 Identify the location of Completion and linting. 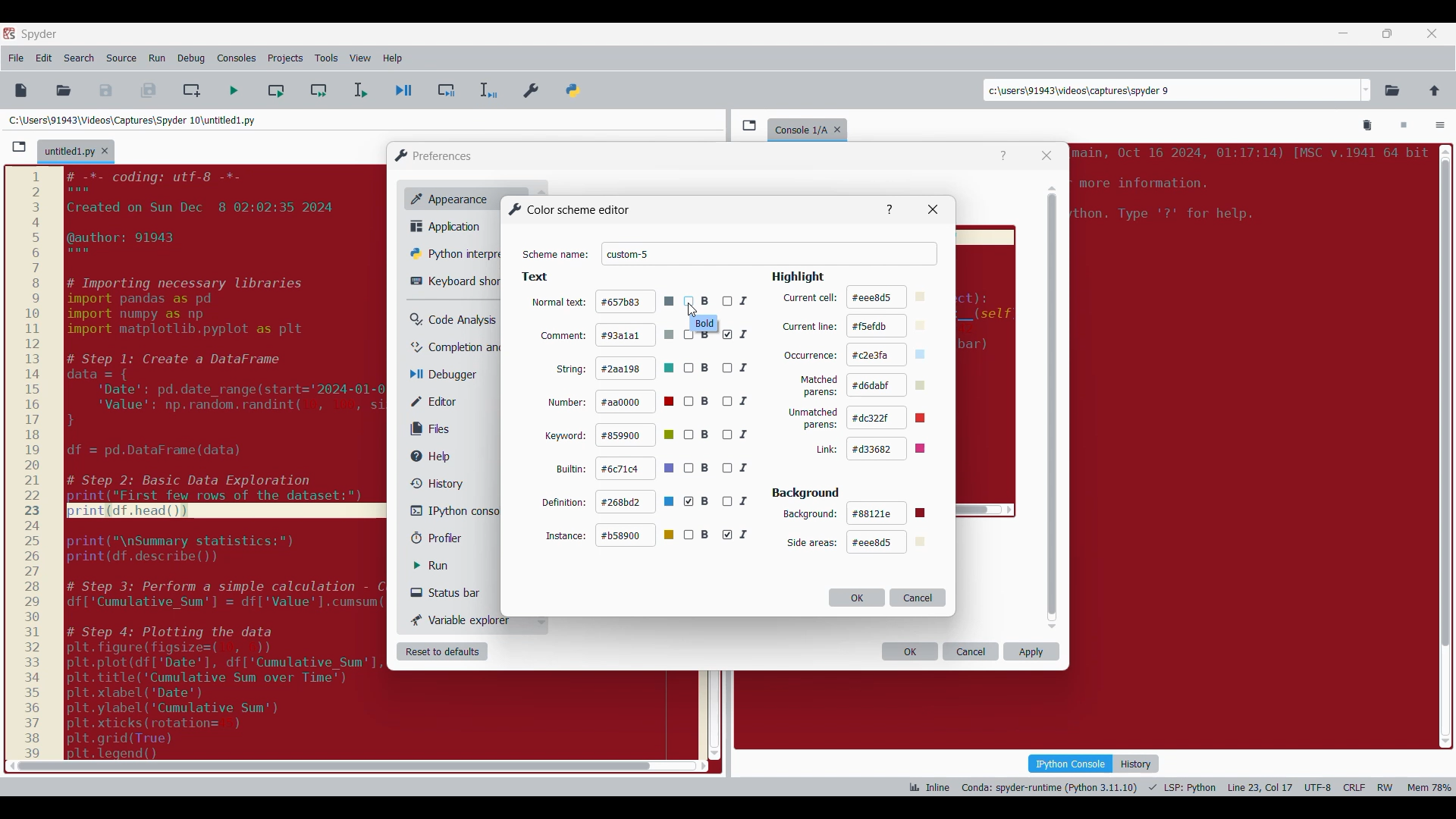
(456, 347).